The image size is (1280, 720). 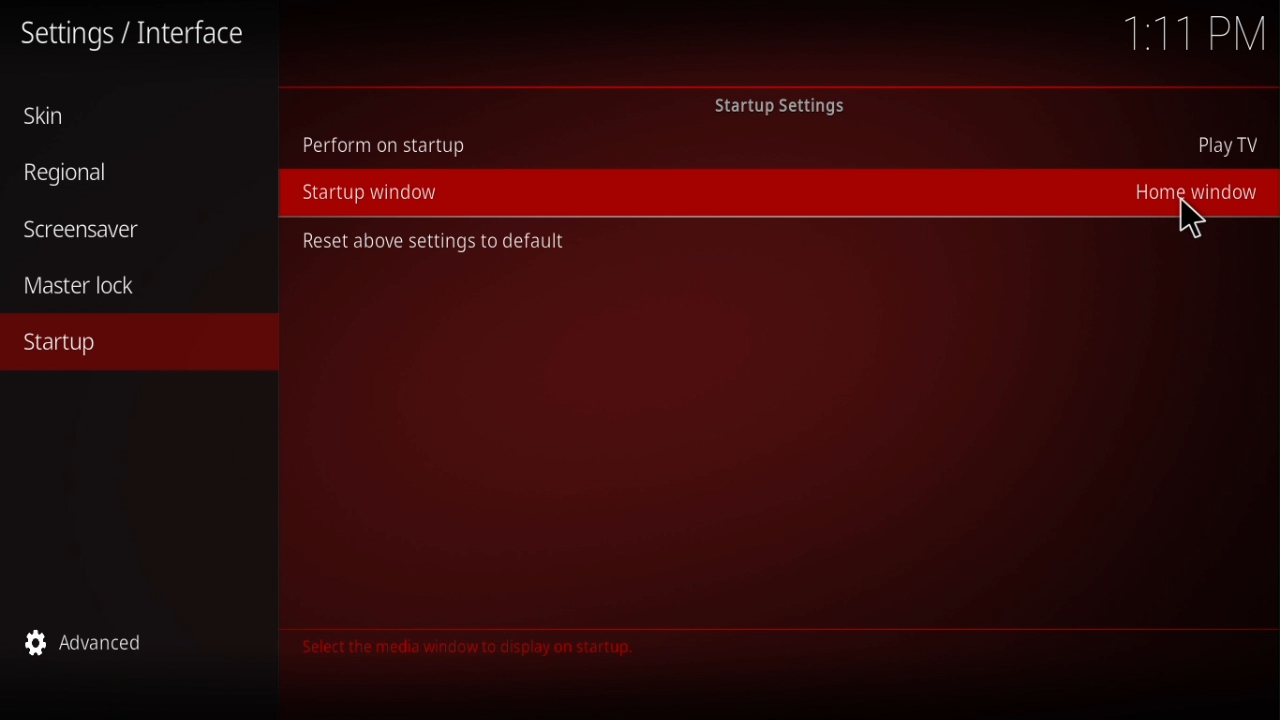 I want to click on 1.11, so click(x=1196, y=35).